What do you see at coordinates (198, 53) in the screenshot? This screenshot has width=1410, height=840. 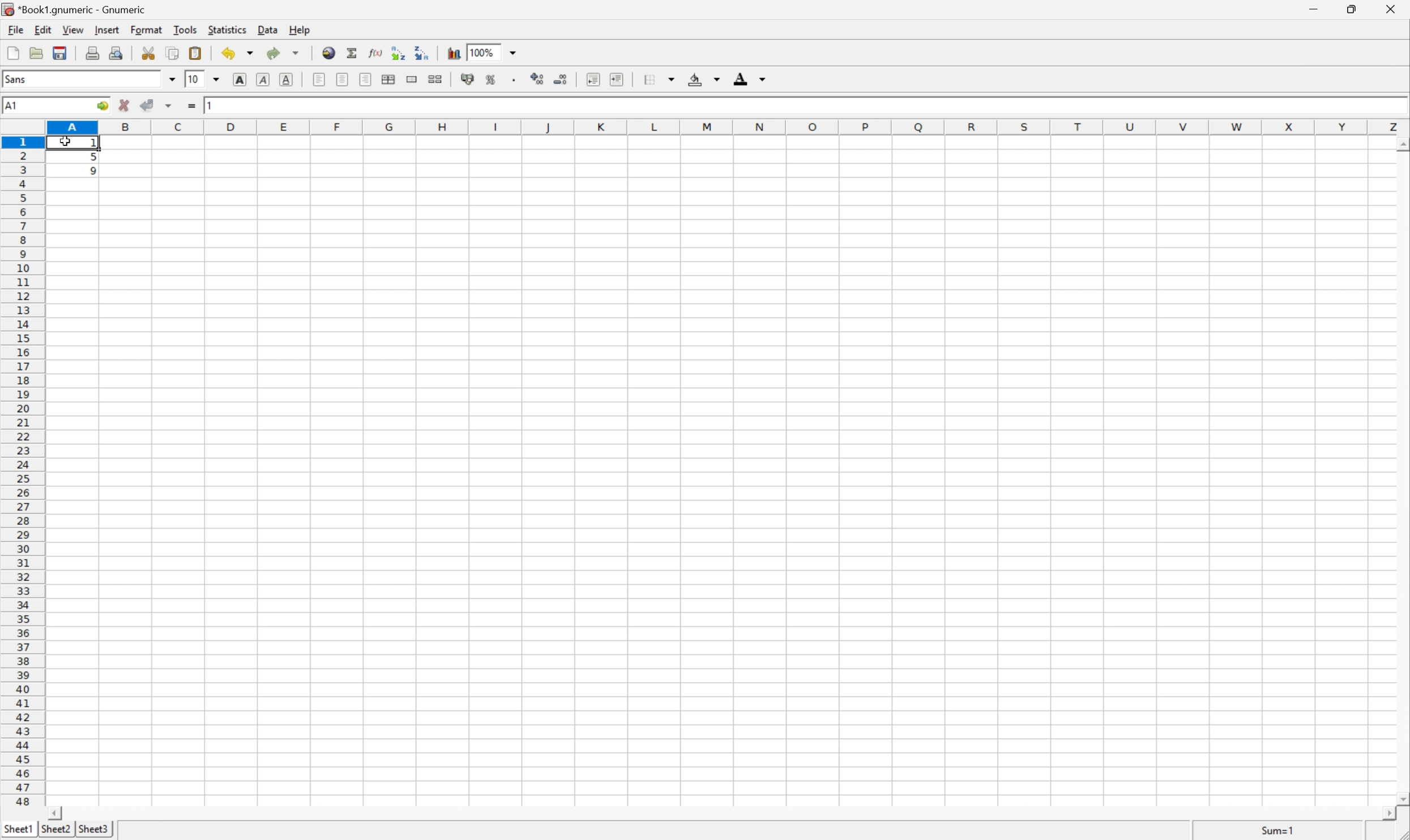 I see `paste` at bounding box center [198, 53].